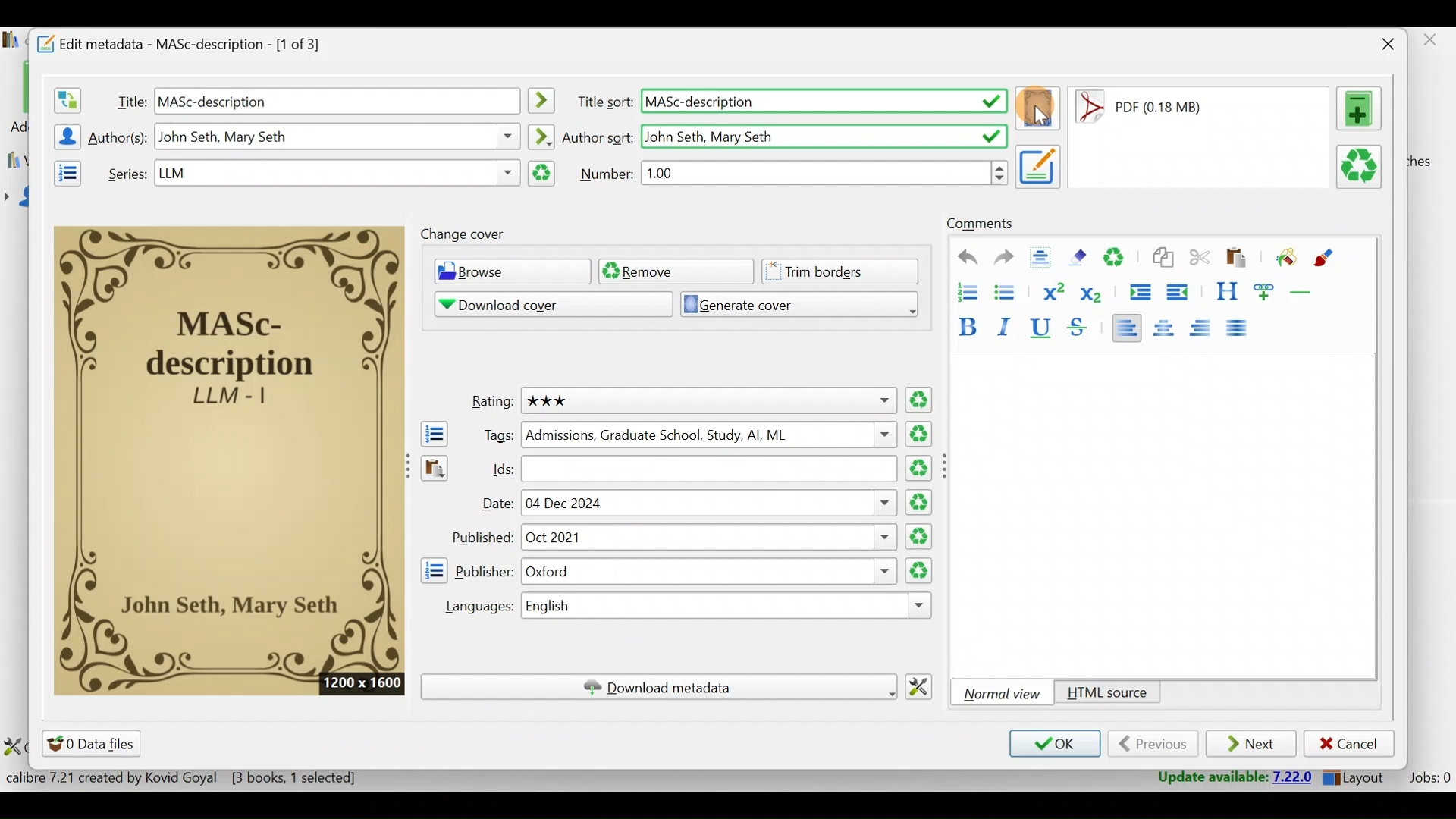  What do you see at coordinates (826, 172) in the screenshot?
I see `` at bounding box center [826, 172].